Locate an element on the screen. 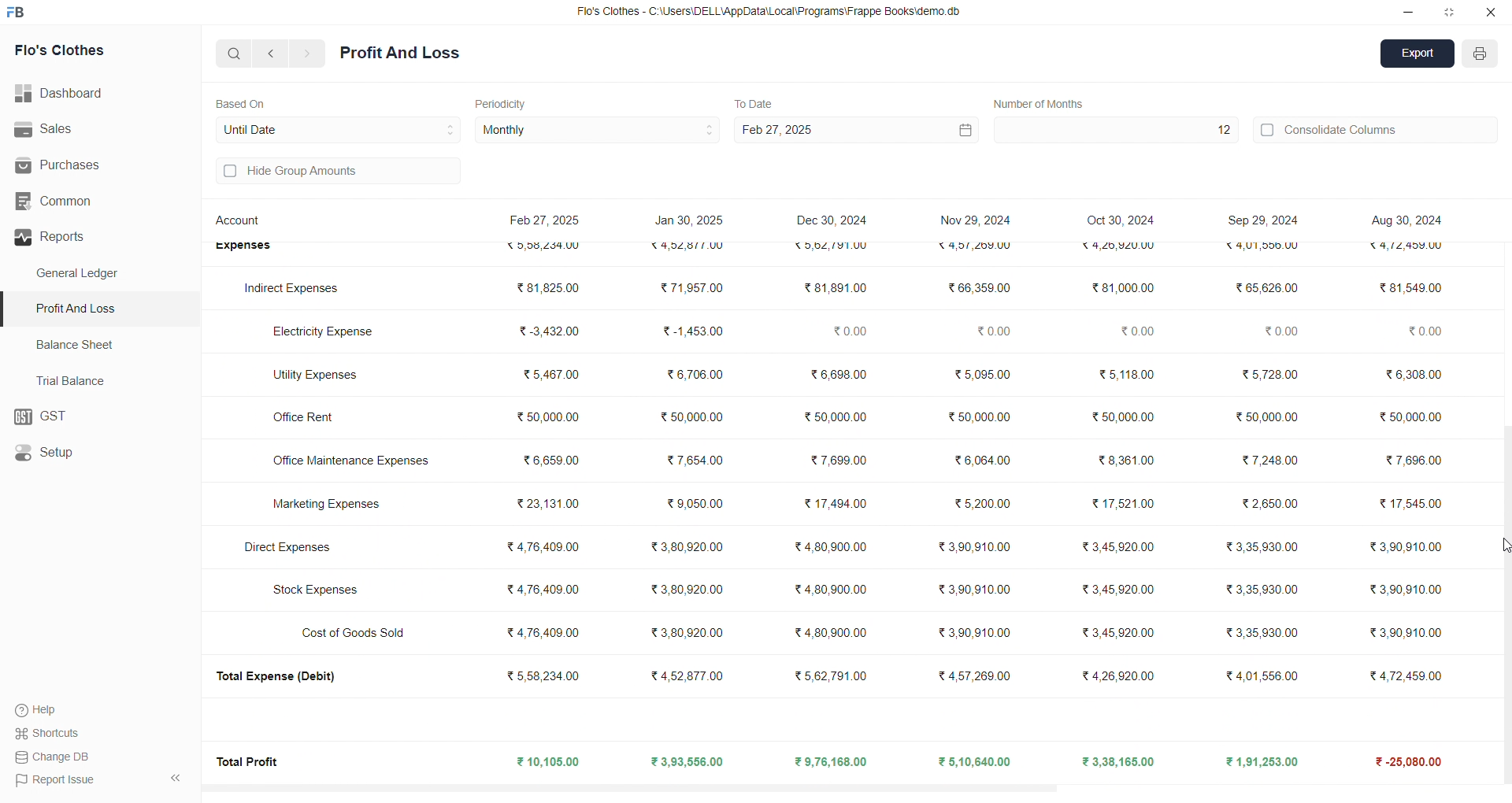 The width and height of the screenshot is (1512, 803). ₹ 3,45,920.00 is located at coordinates (1117, 589).